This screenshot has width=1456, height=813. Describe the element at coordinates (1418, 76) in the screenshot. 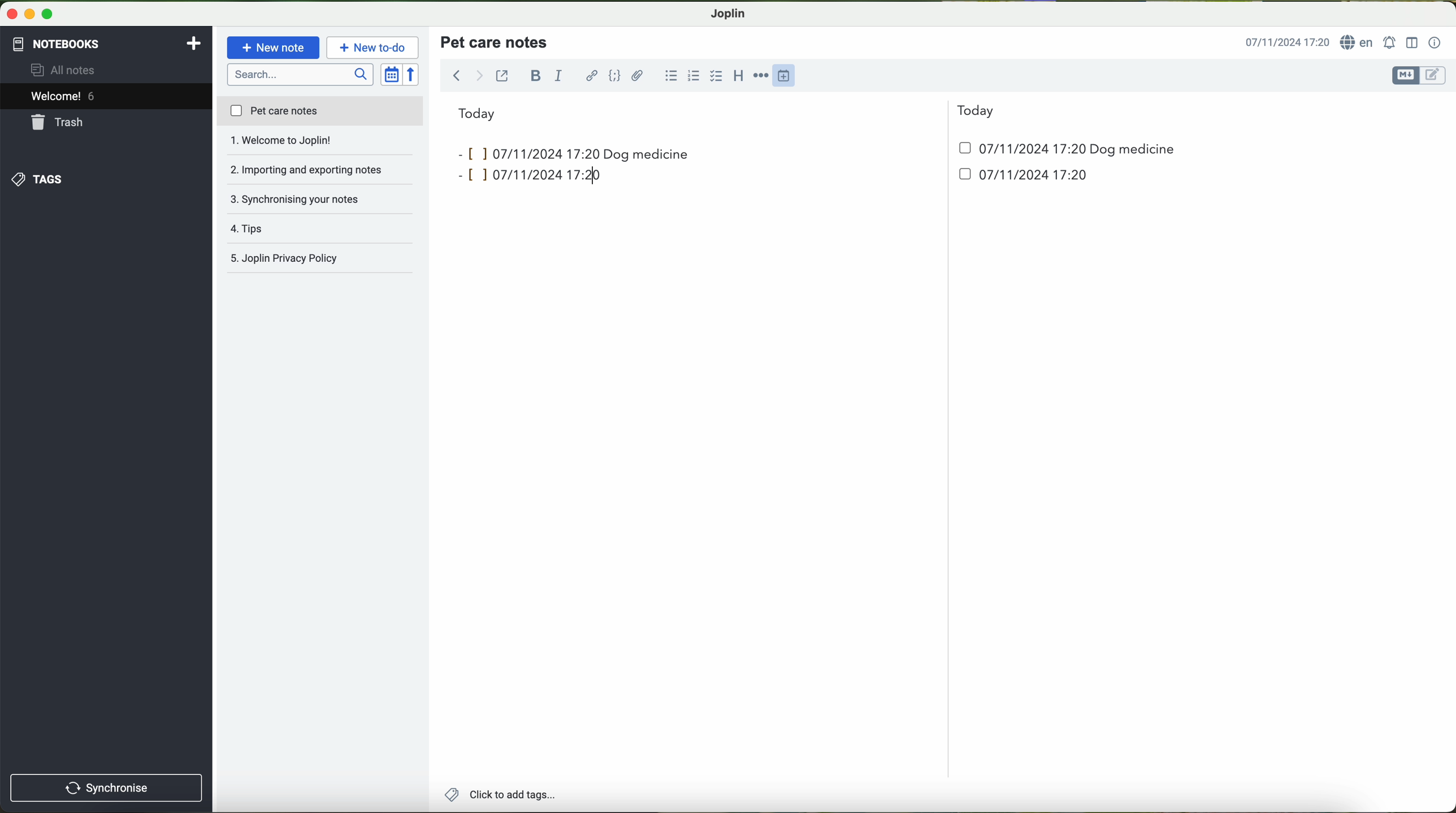

I see `toggle editors` at that location.